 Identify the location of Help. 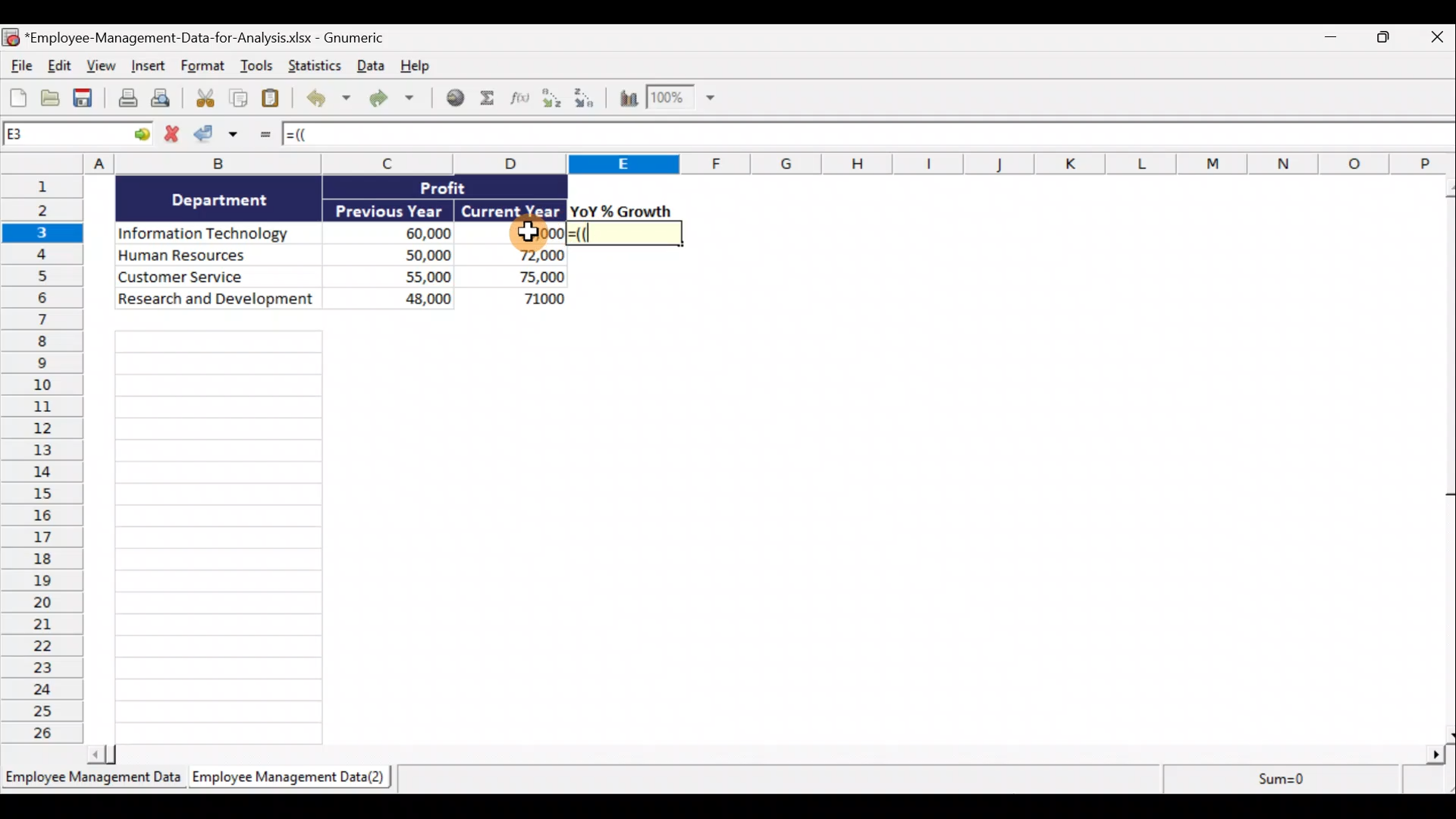
(415, 67).